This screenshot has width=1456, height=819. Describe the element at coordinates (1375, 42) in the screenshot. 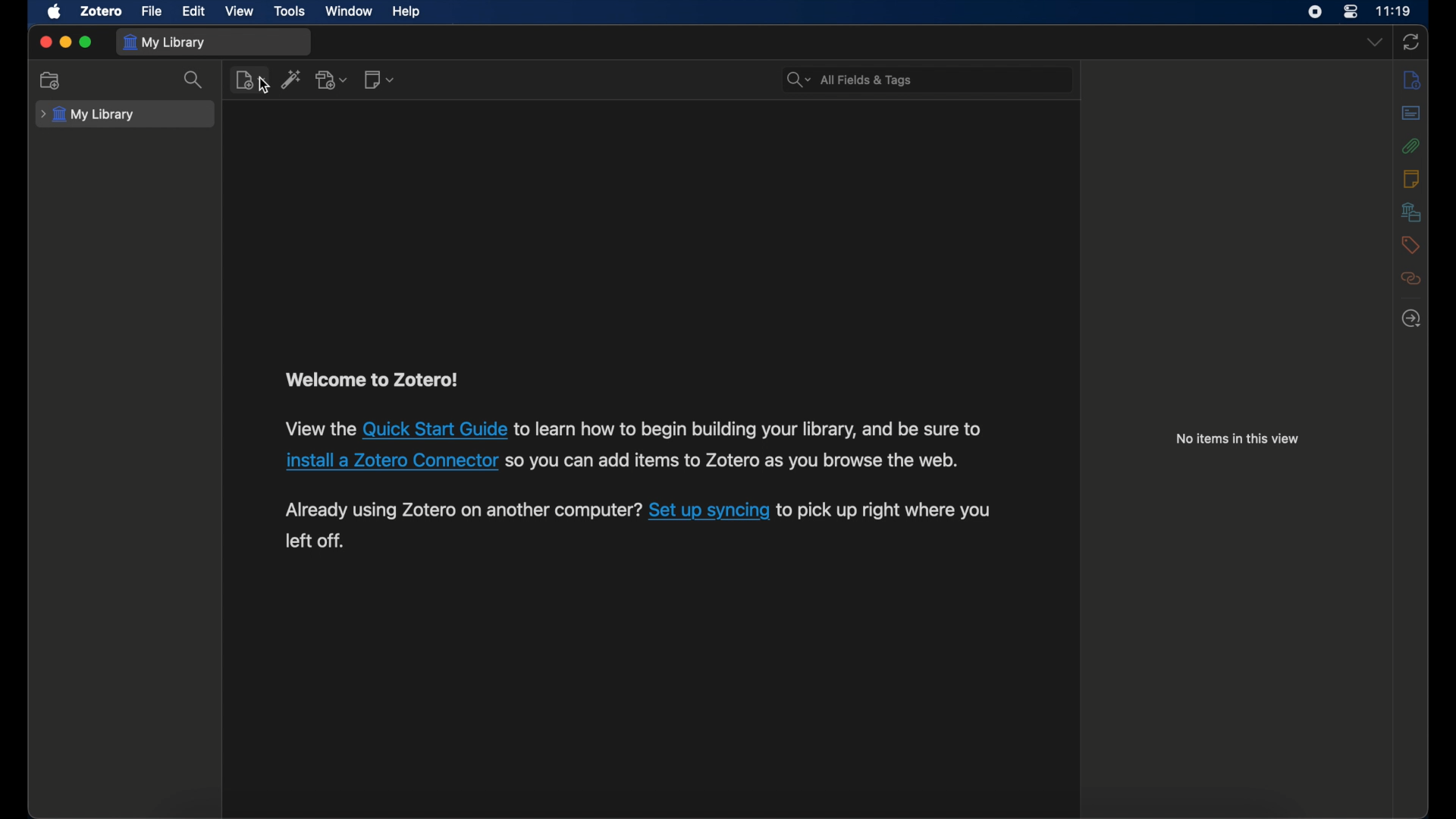

I see `dropdown` at that location.